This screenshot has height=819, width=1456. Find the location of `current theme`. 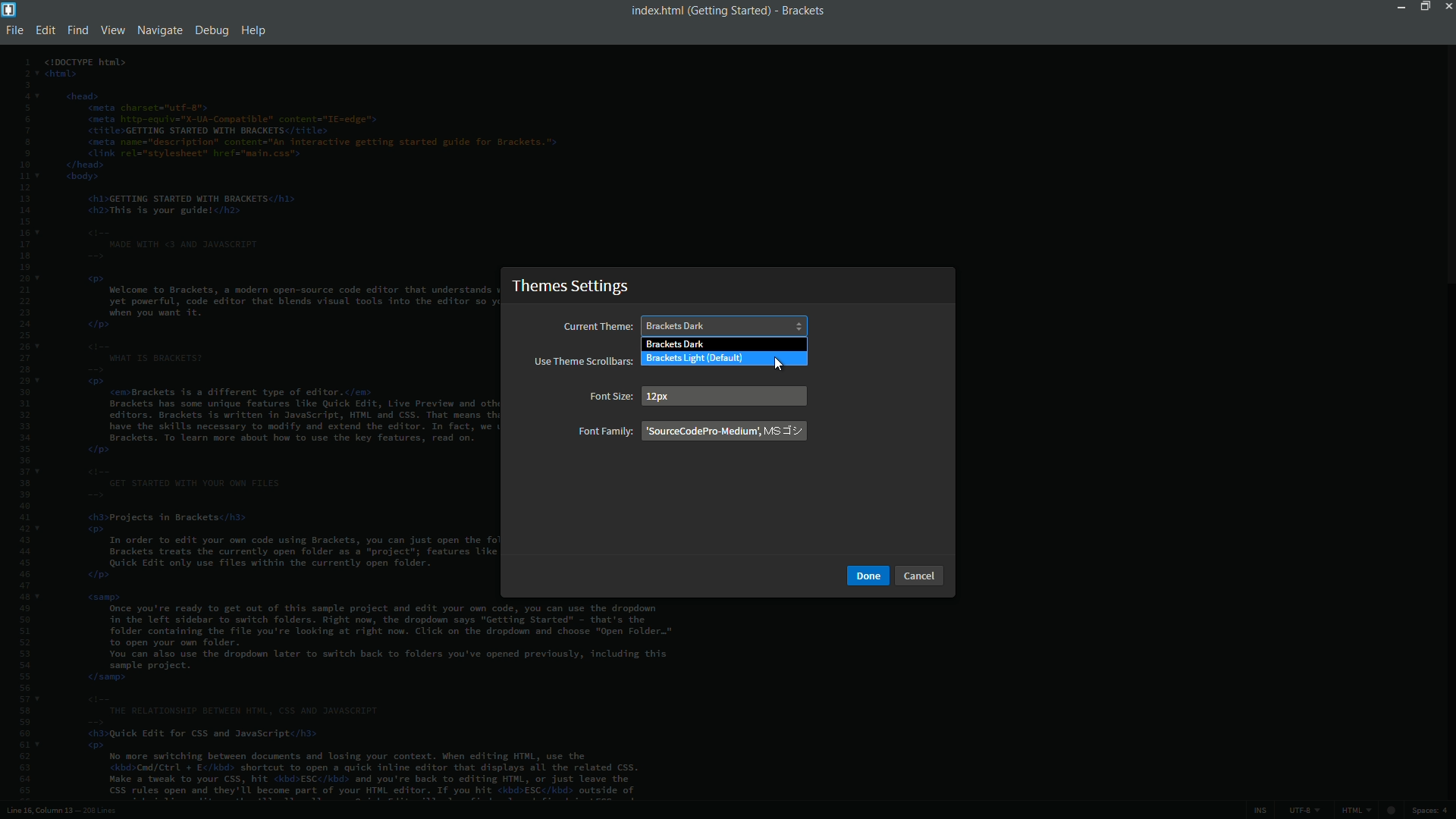

current theme is located at coordinates (597, 328).